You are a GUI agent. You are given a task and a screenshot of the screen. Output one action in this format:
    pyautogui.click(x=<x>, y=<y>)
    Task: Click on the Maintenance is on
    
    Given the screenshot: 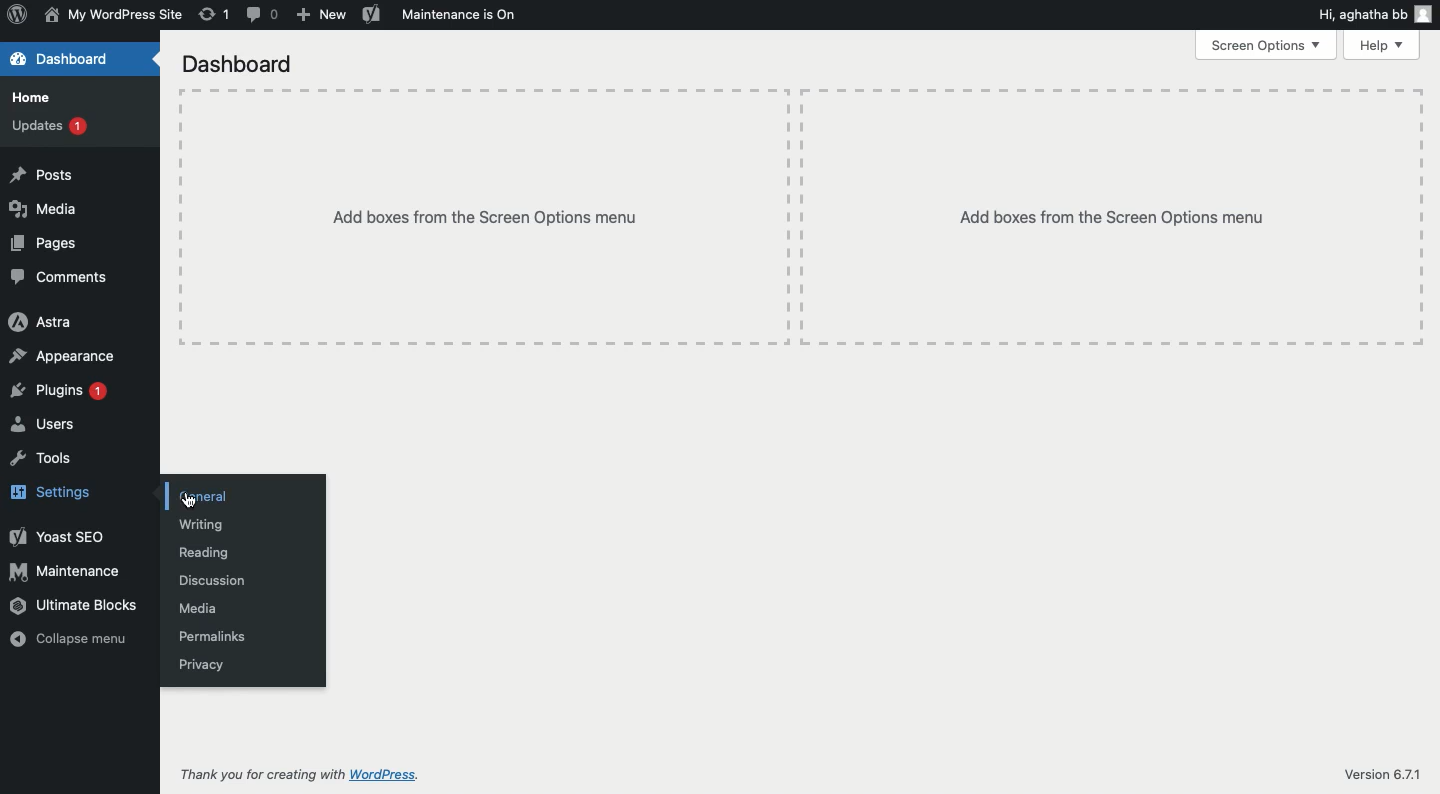 What is the action you would take?
    pyautogui.click(x=459, y=14)
    